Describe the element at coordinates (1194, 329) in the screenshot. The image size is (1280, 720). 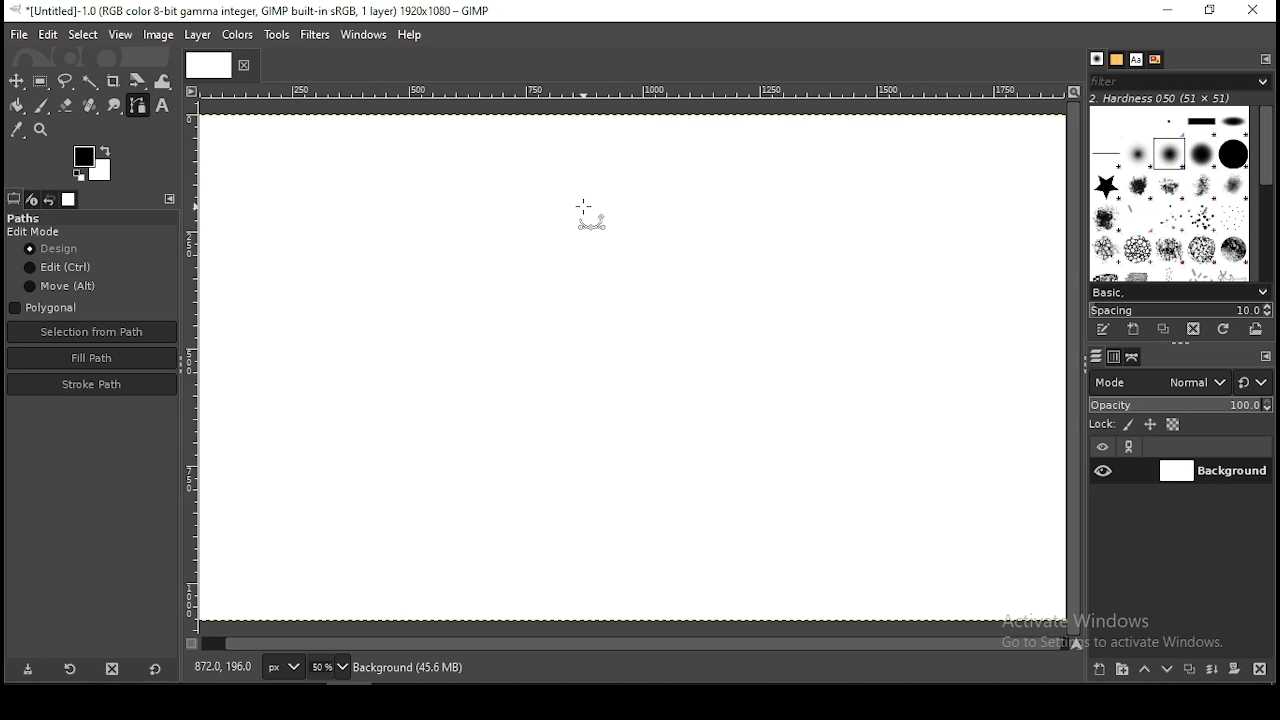
I see `delete this brush` at that location.